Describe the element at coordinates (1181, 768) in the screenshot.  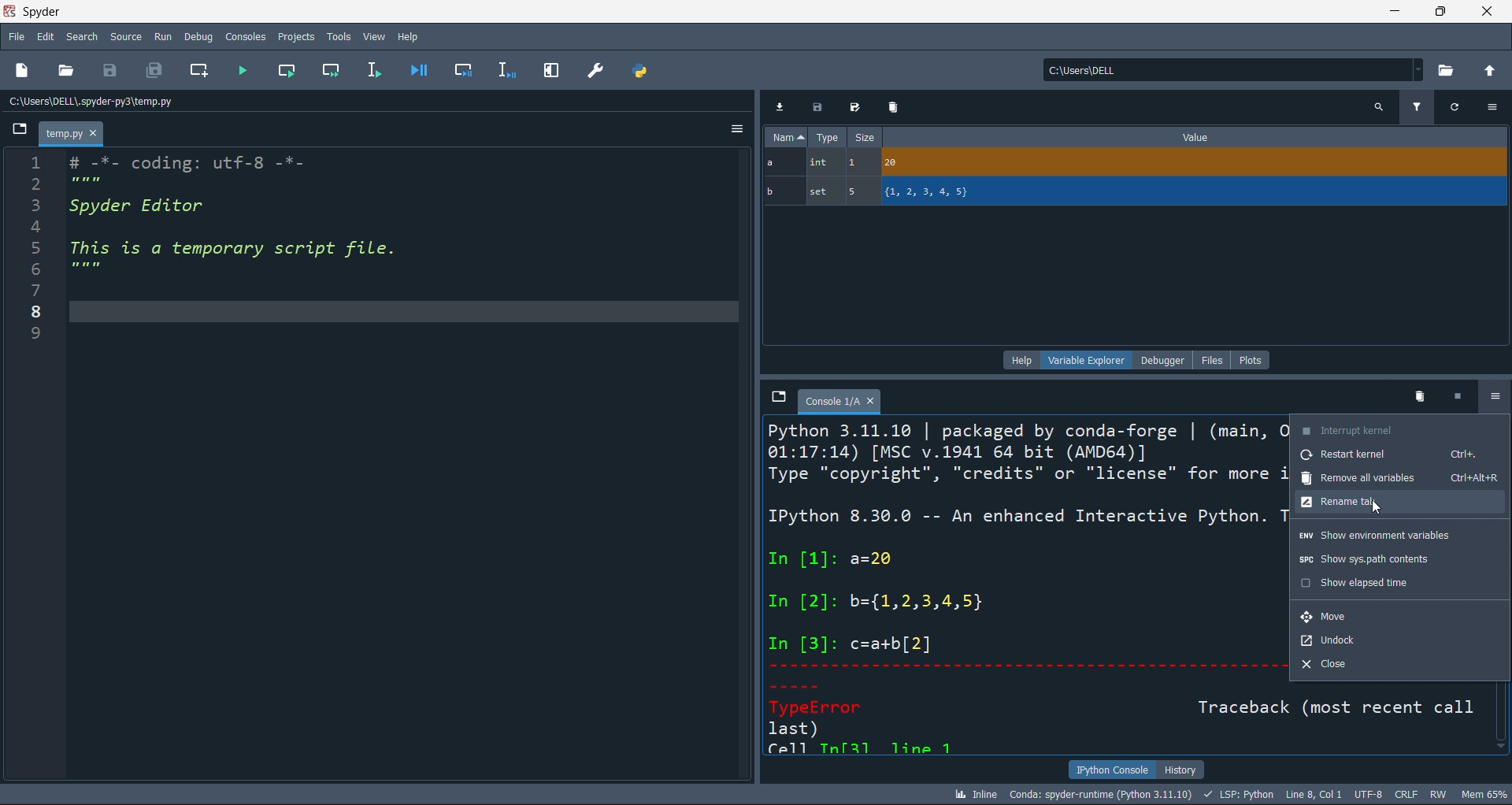
I see `history` at that location.